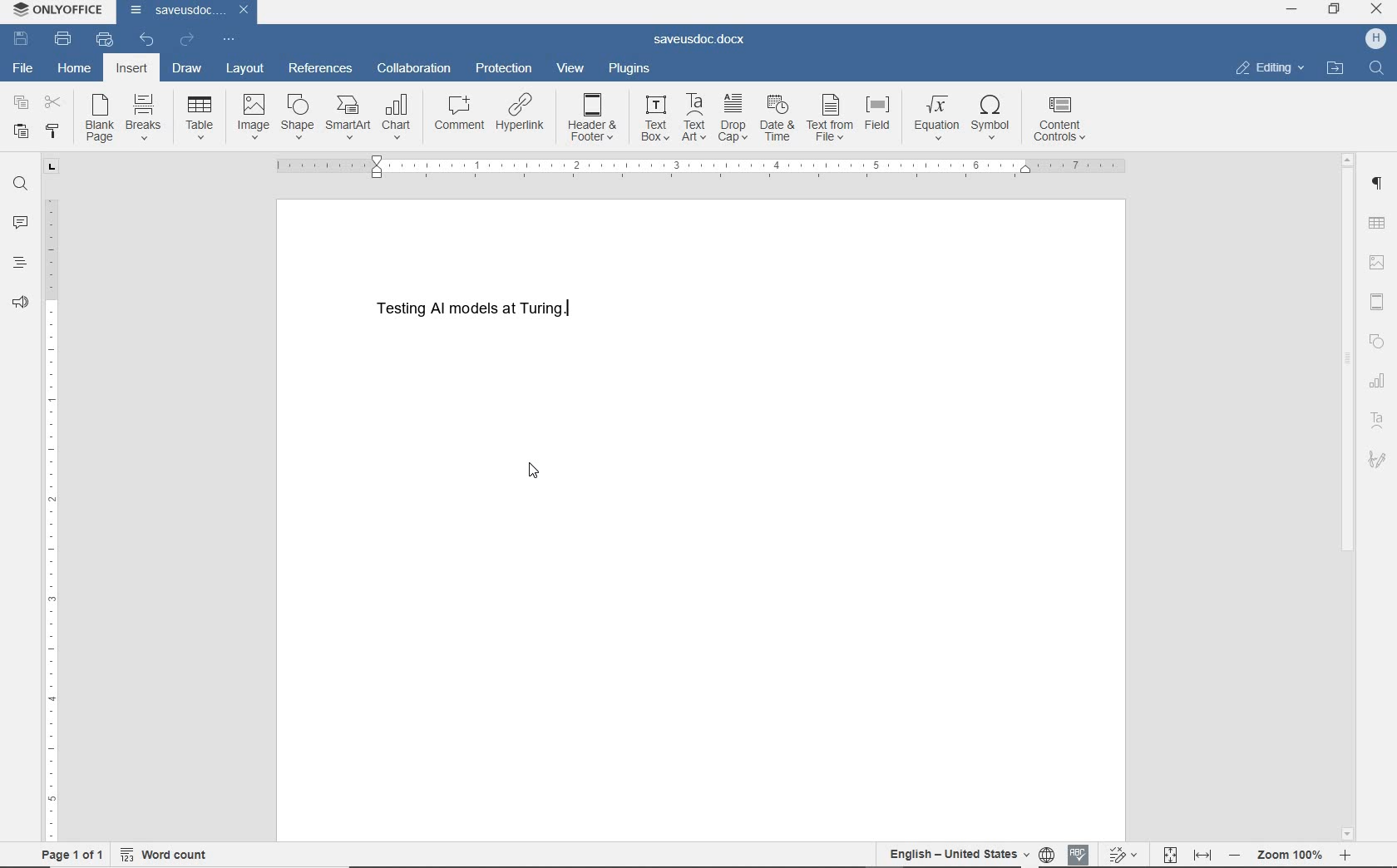 The image size is (1397, 868). Describe the element at coordinates (1291, 10) in the screenshot. I see `MINIMIZE` at that location.